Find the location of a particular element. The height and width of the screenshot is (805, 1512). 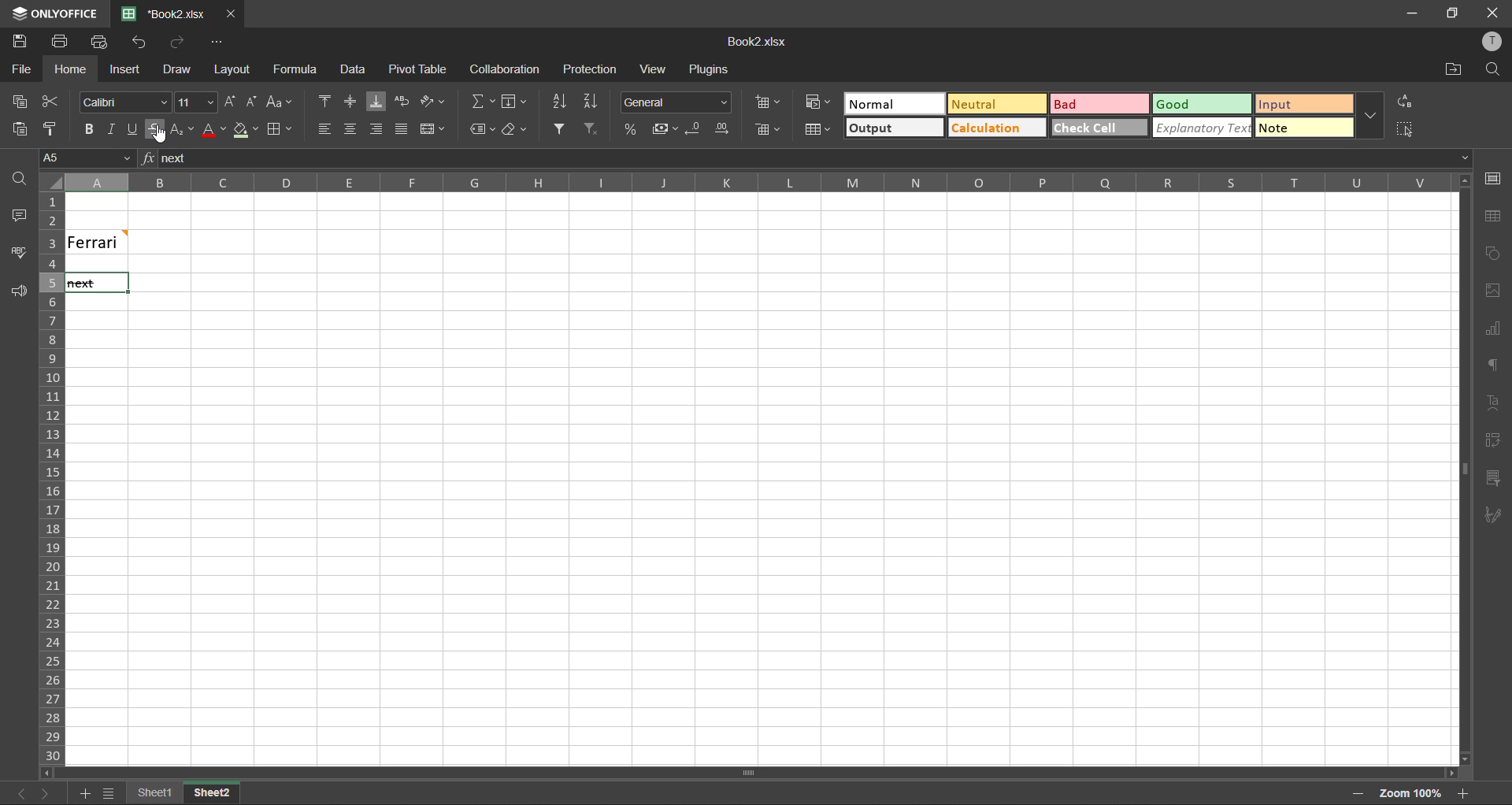

cut is located at coordinates (54, 101).